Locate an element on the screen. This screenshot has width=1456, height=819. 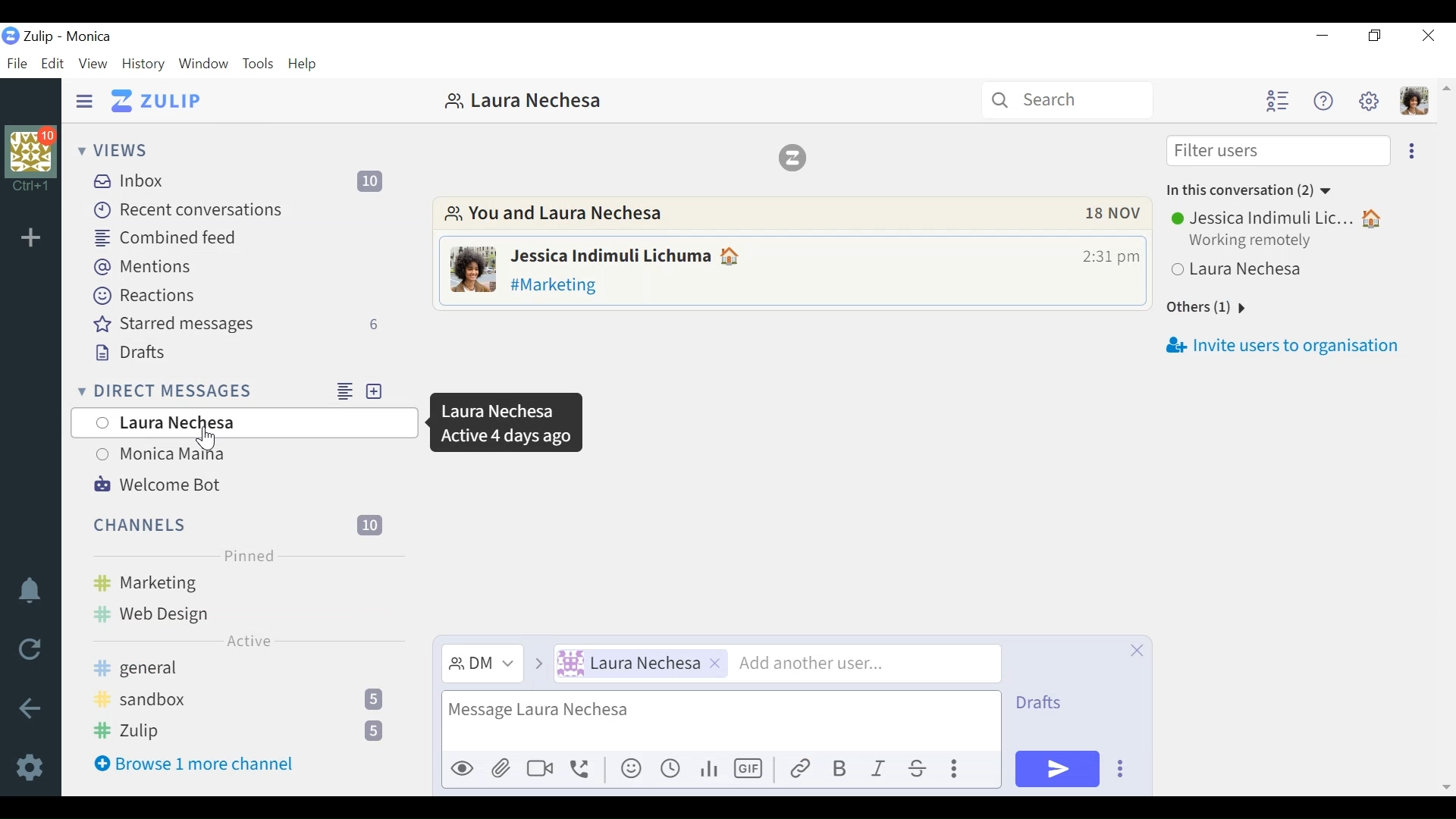
user is located at coordinates (524, 102).